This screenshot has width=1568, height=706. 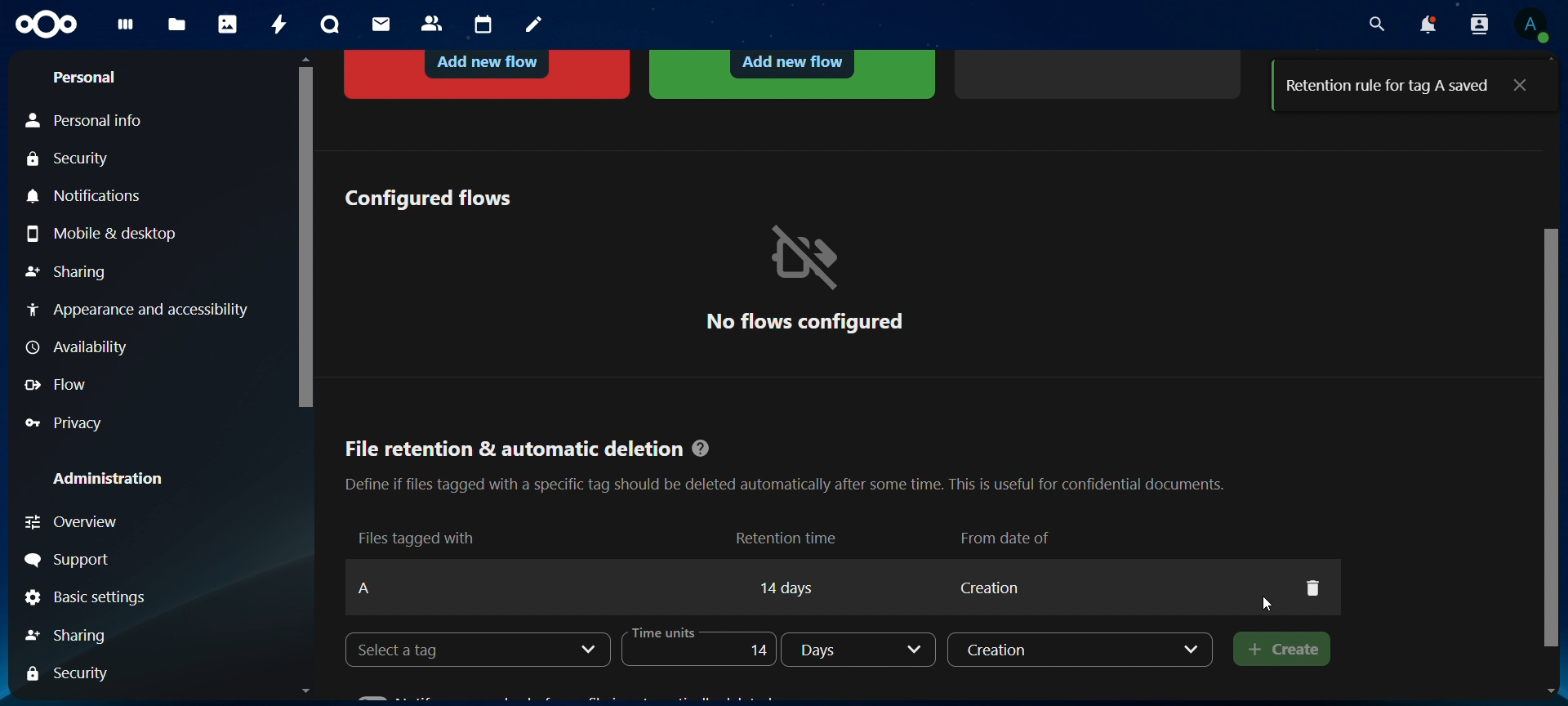 I want to click on time units, so click(x=706, y=646).